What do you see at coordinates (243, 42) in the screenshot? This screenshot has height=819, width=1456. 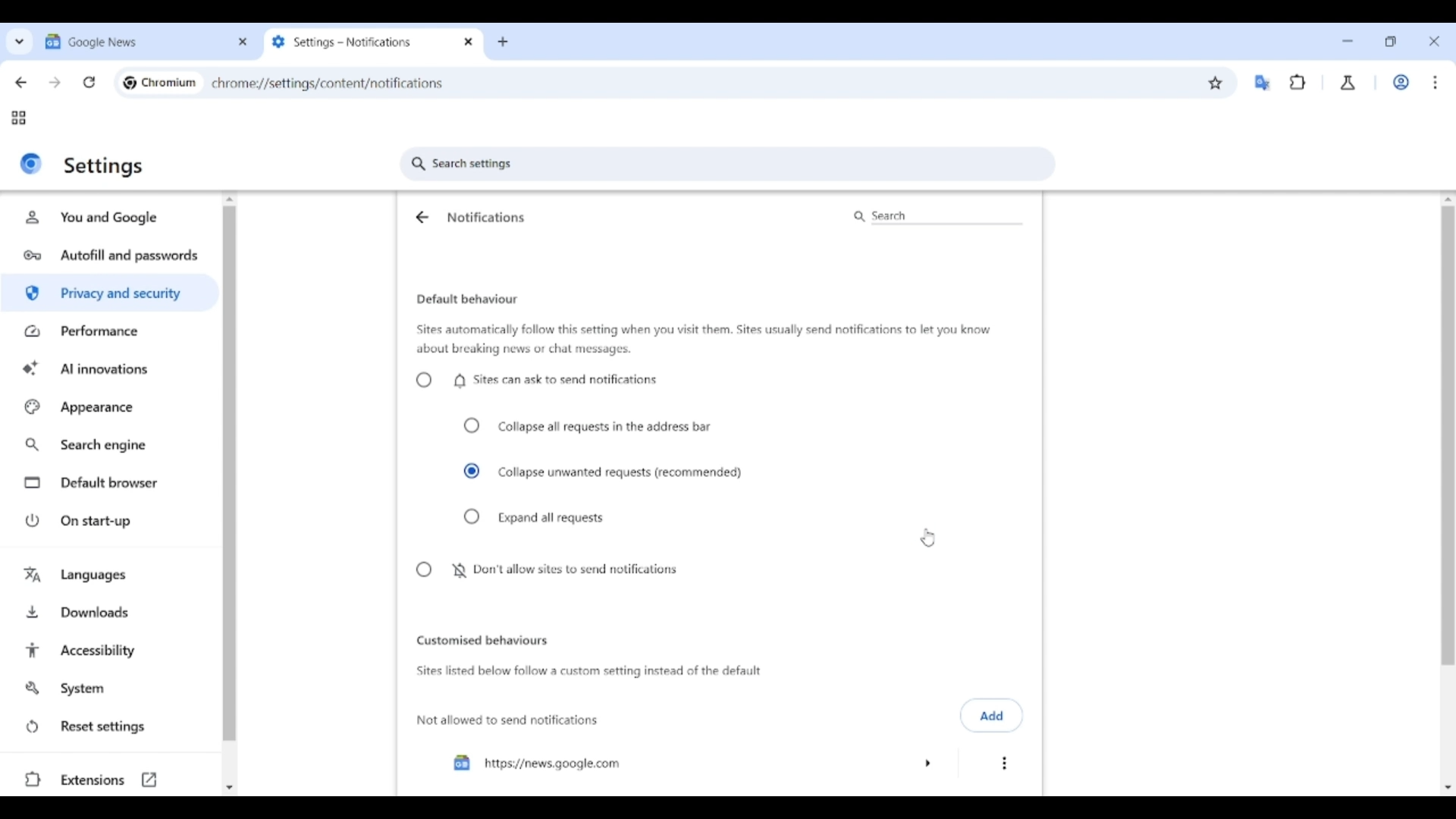 I see `Close tab 1` at bounding box center [243, 42].